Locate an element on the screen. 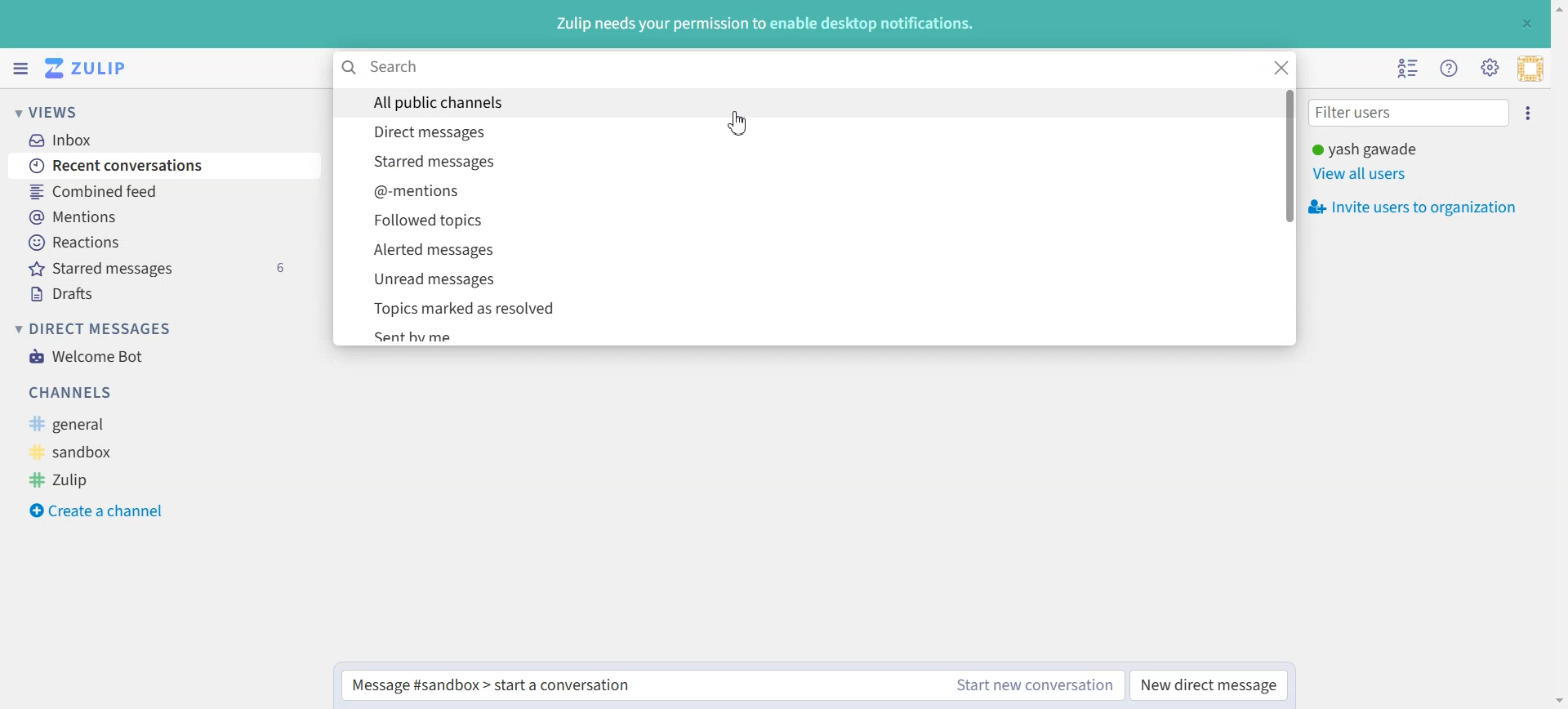 The image size is (1568, 709). Zulip needs your permission to enable desktop notifications. is located at coordinates (764, 25).